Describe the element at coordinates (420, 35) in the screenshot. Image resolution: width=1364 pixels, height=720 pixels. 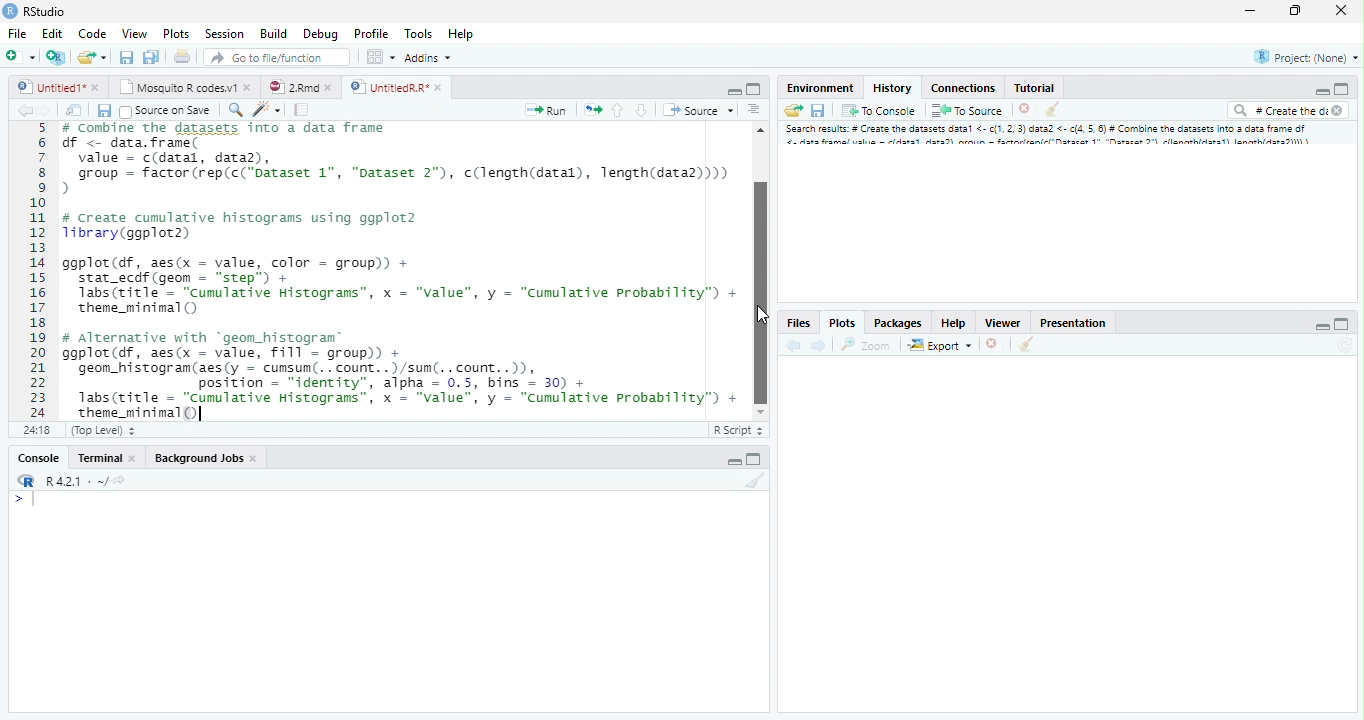
I see `Tools` at that location.